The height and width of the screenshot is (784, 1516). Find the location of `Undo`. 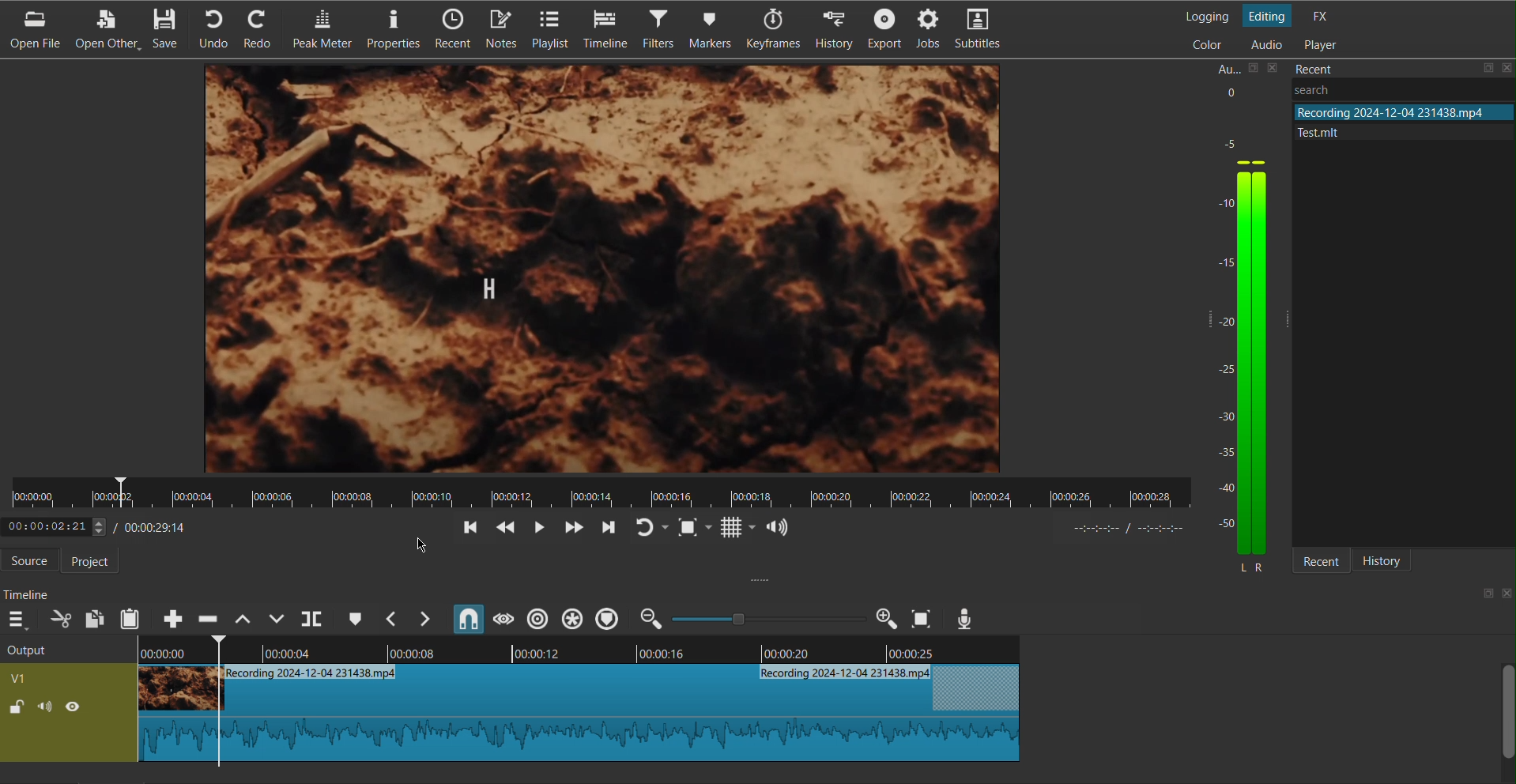

Undo is located at coordinates (217, 28).